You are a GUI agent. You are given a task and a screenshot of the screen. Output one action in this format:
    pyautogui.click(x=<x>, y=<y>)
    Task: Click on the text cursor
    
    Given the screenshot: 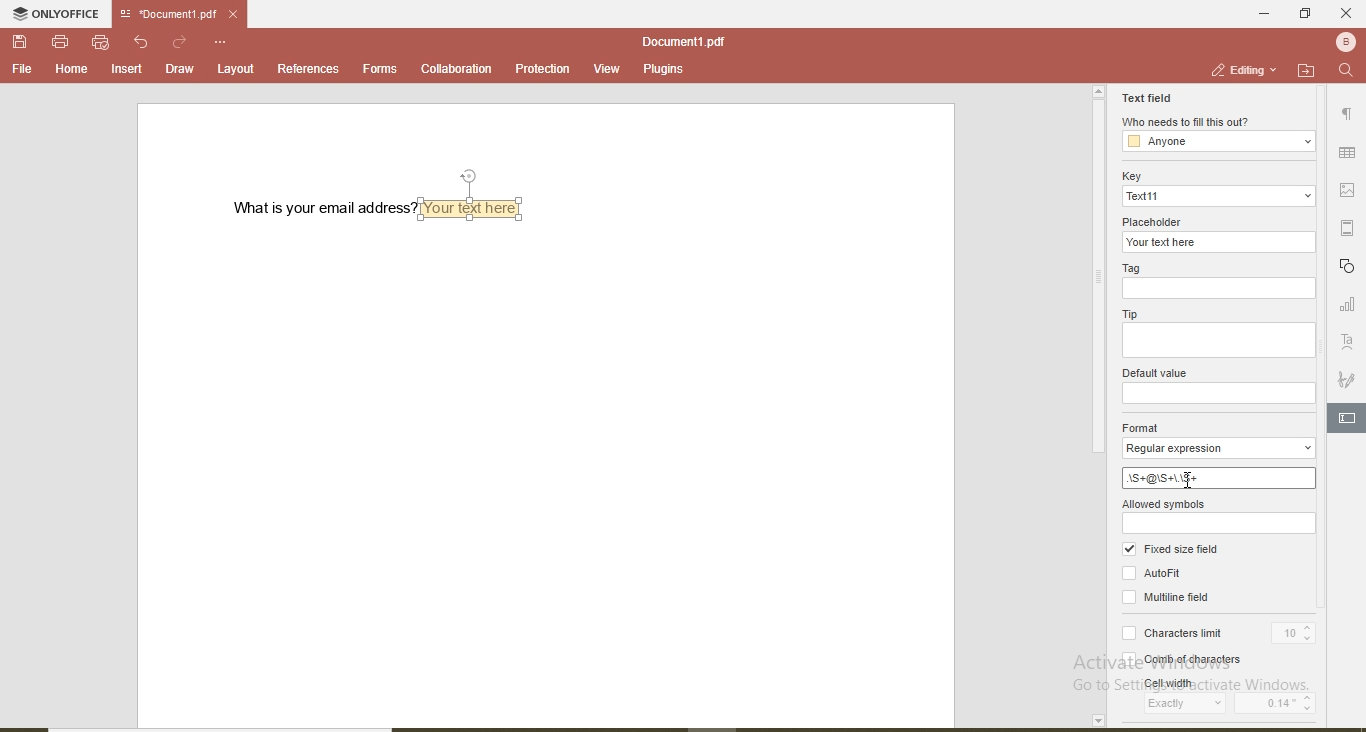 What is the action you would take?
    pyautogui.click(x=1187, y=480)
    